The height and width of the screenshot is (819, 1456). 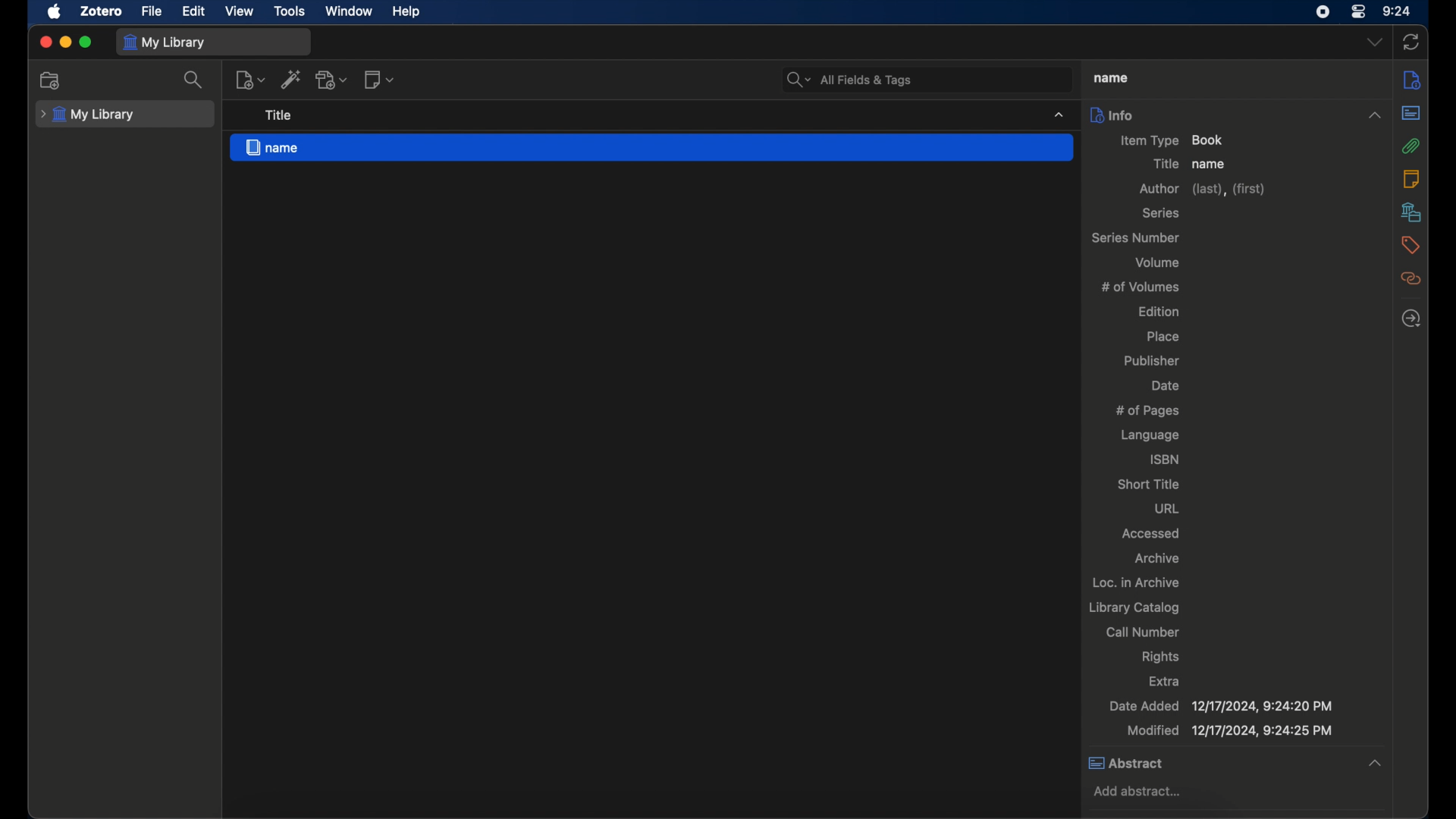 I want to click on date added, so click(x=1219, y=706).